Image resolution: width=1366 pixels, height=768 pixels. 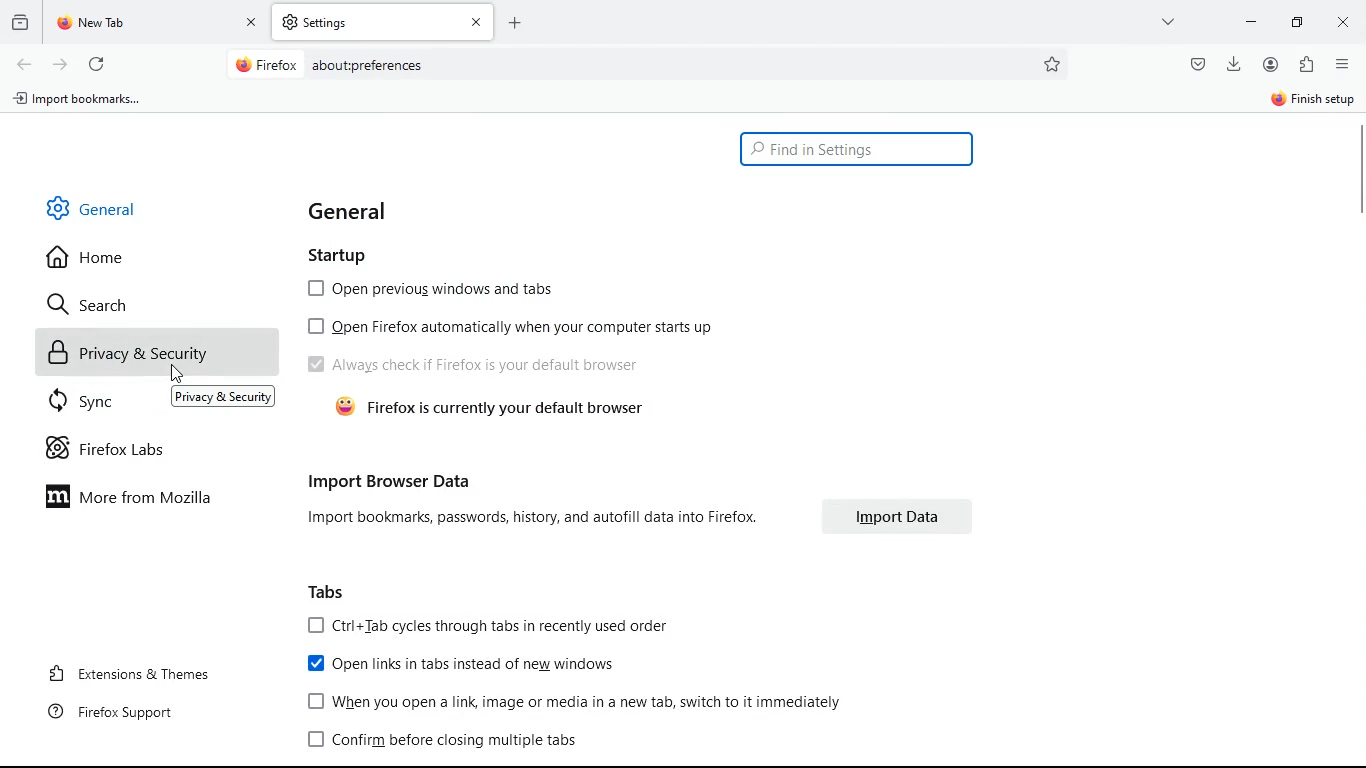 What do you see at coordinates (383, 22) in the screenshot?
I see `tab` at bounding box center [383, 22].